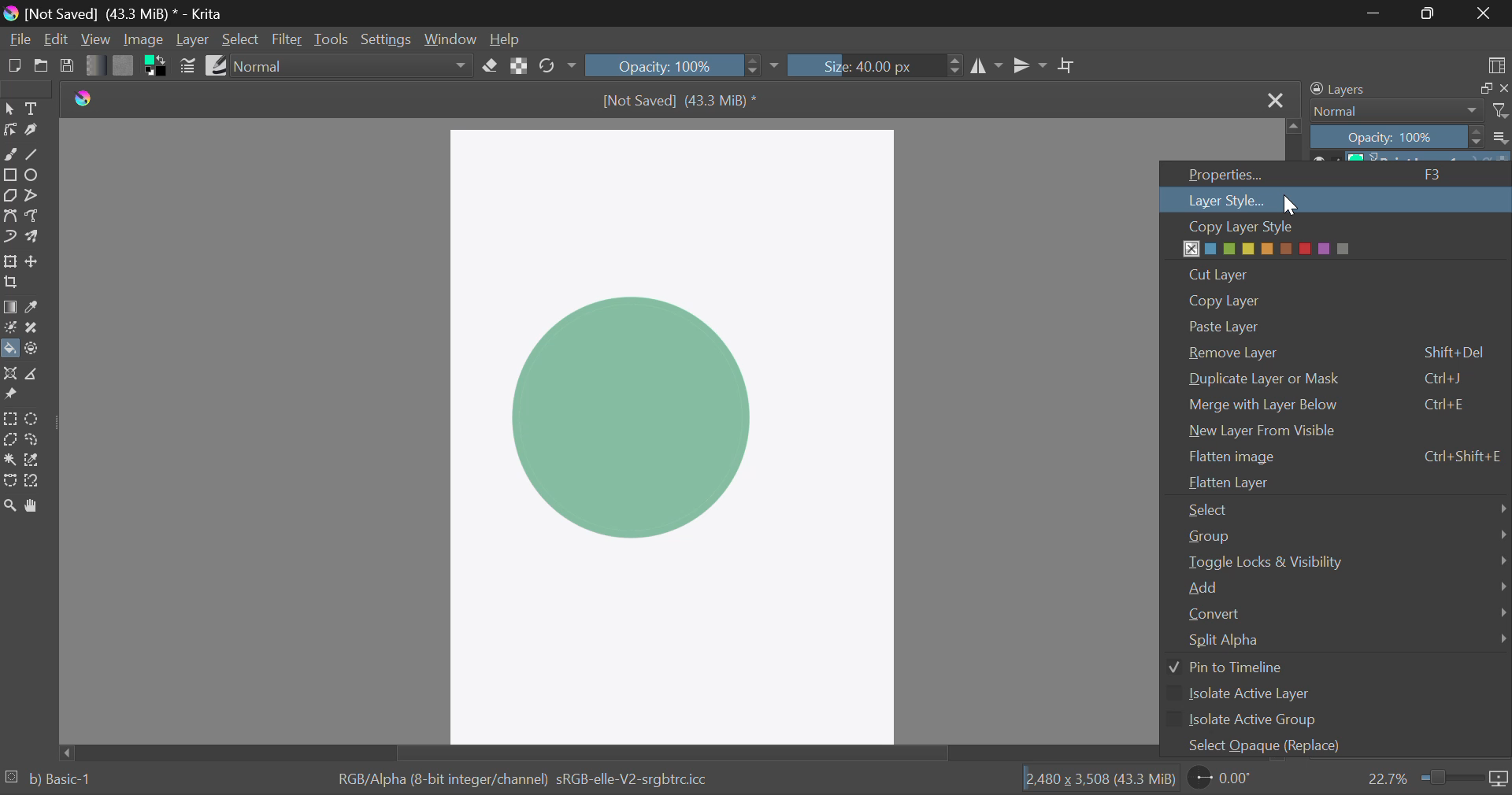 This screenshot has width=1512, height=795. Describe the element at coordinates (11, 154) in the screenshot. I see `Freehand` at that location.